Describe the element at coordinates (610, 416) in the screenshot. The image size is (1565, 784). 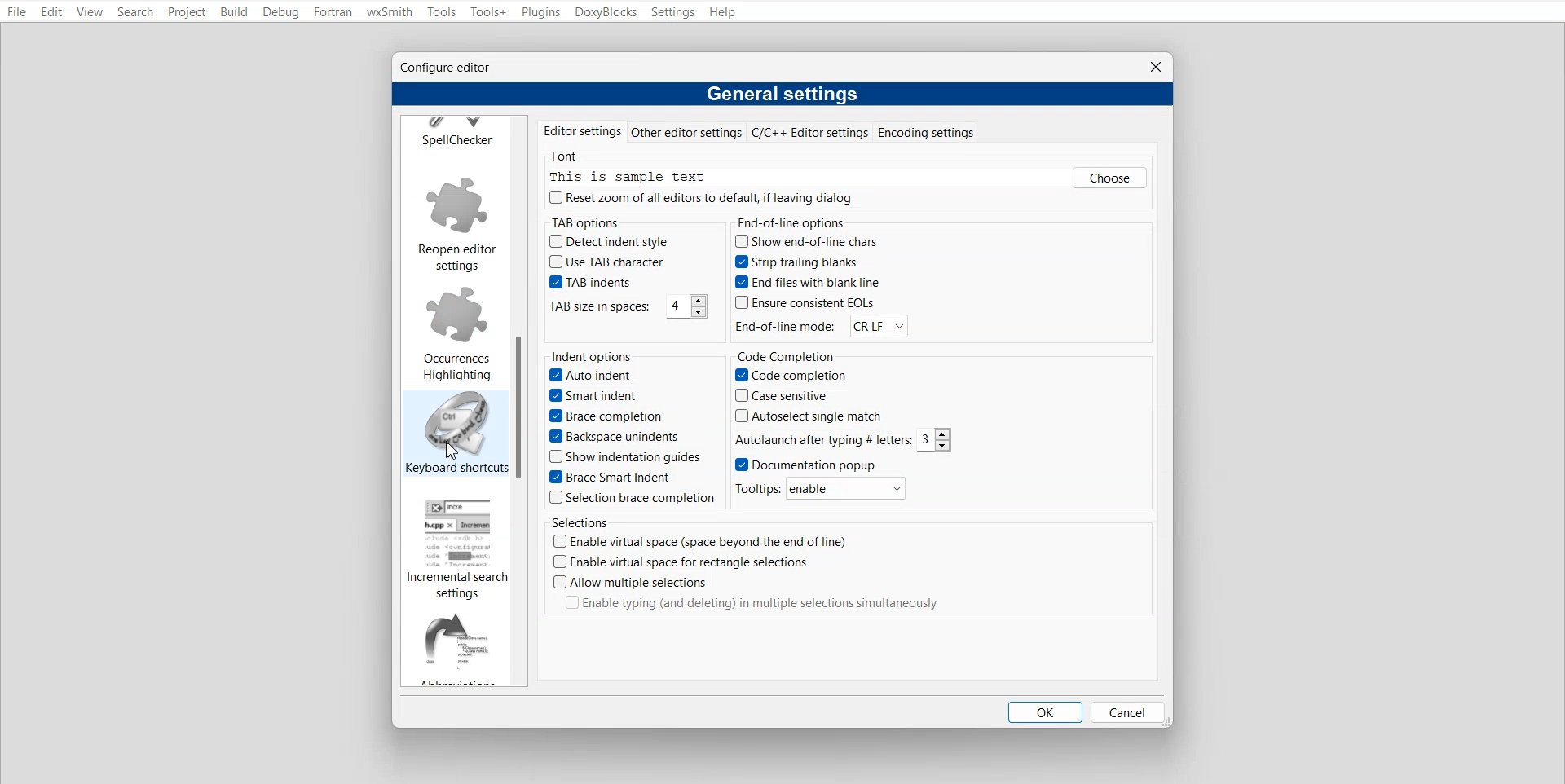
I see `Brace completion` at that location.